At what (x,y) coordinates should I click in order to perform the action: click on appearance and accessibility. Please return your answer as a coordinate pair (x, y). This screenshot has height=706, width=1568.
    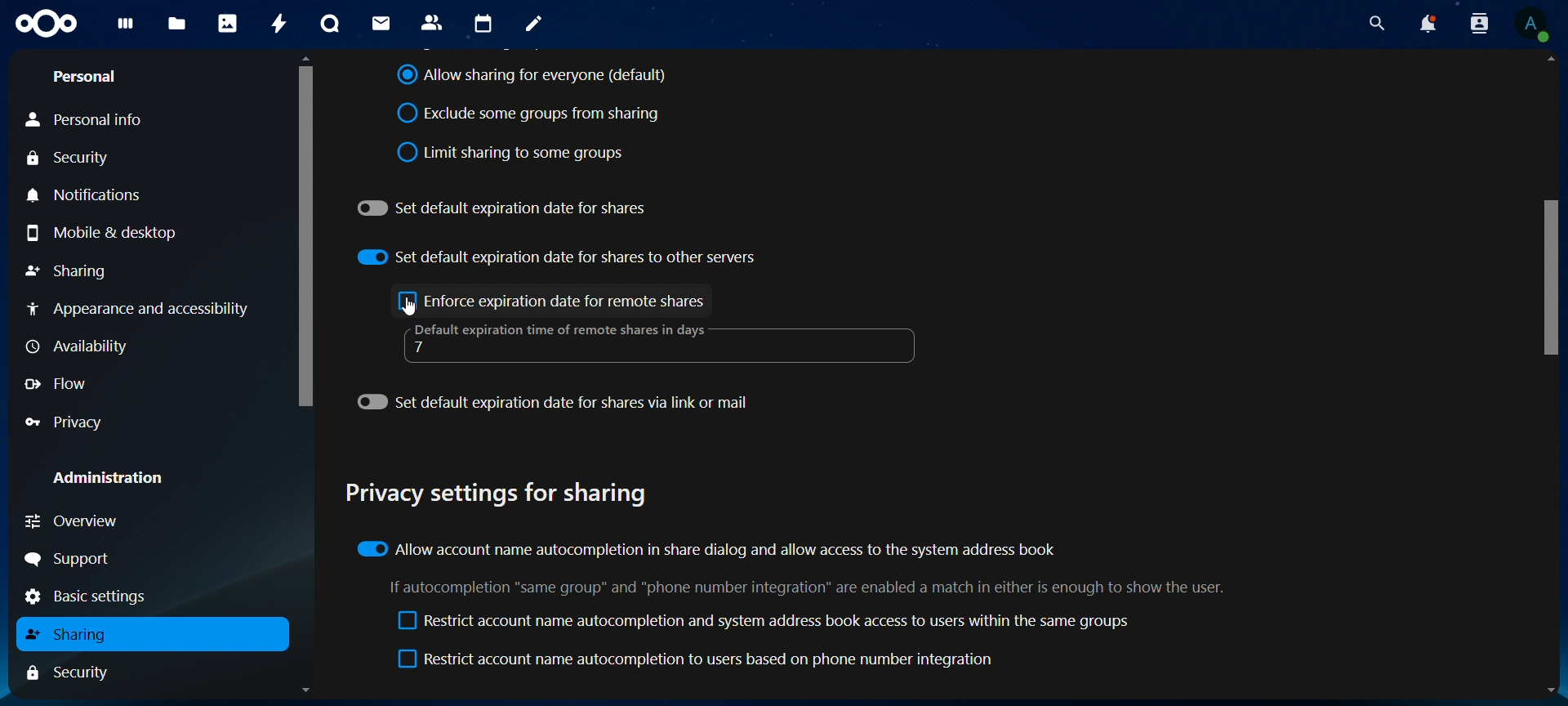
    Looking at the image, I should click on (143, 308).